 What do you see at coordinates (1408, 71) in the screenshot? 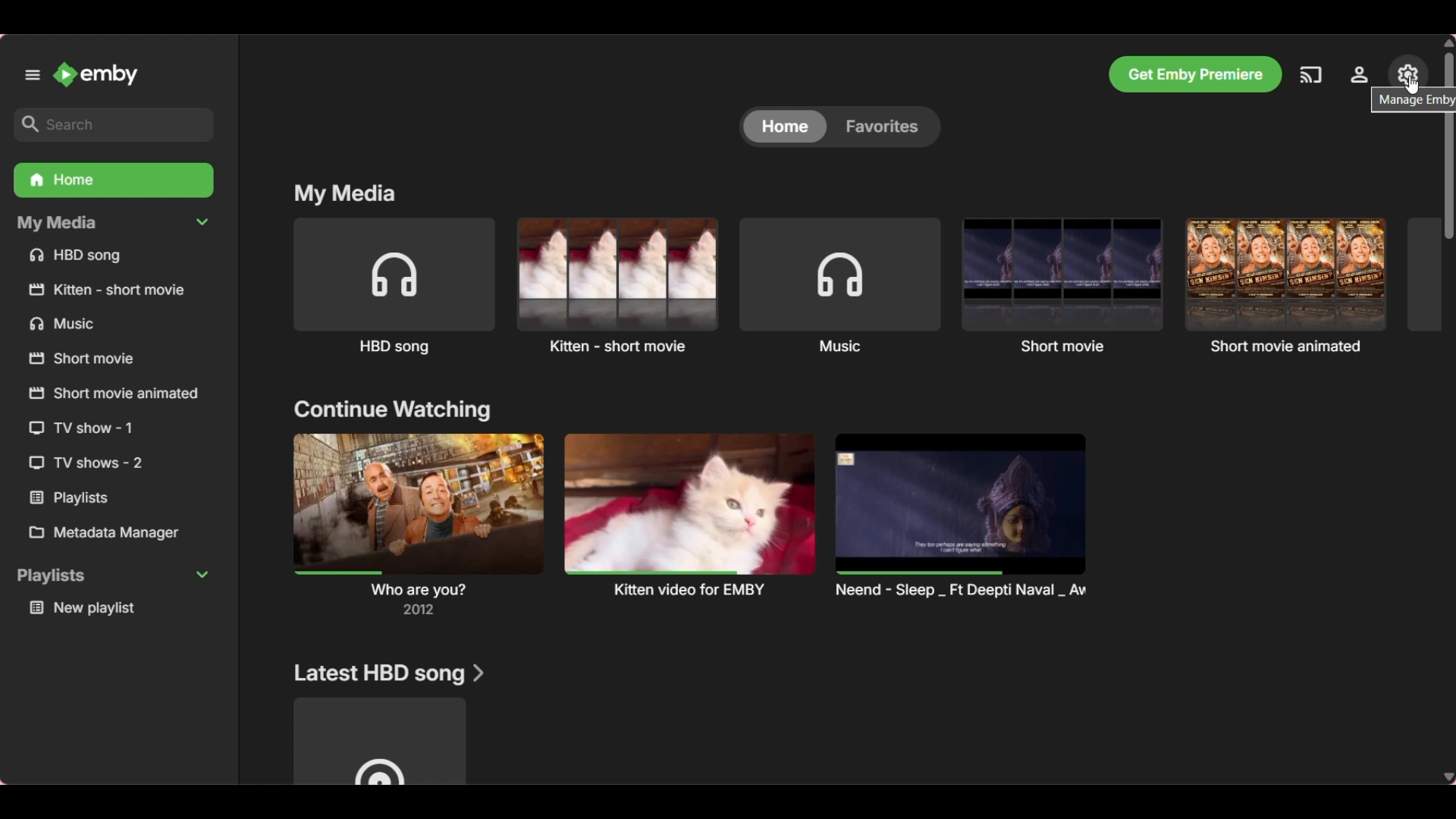
I see `Manage EMBY server` at bounding box center [1408, 71].